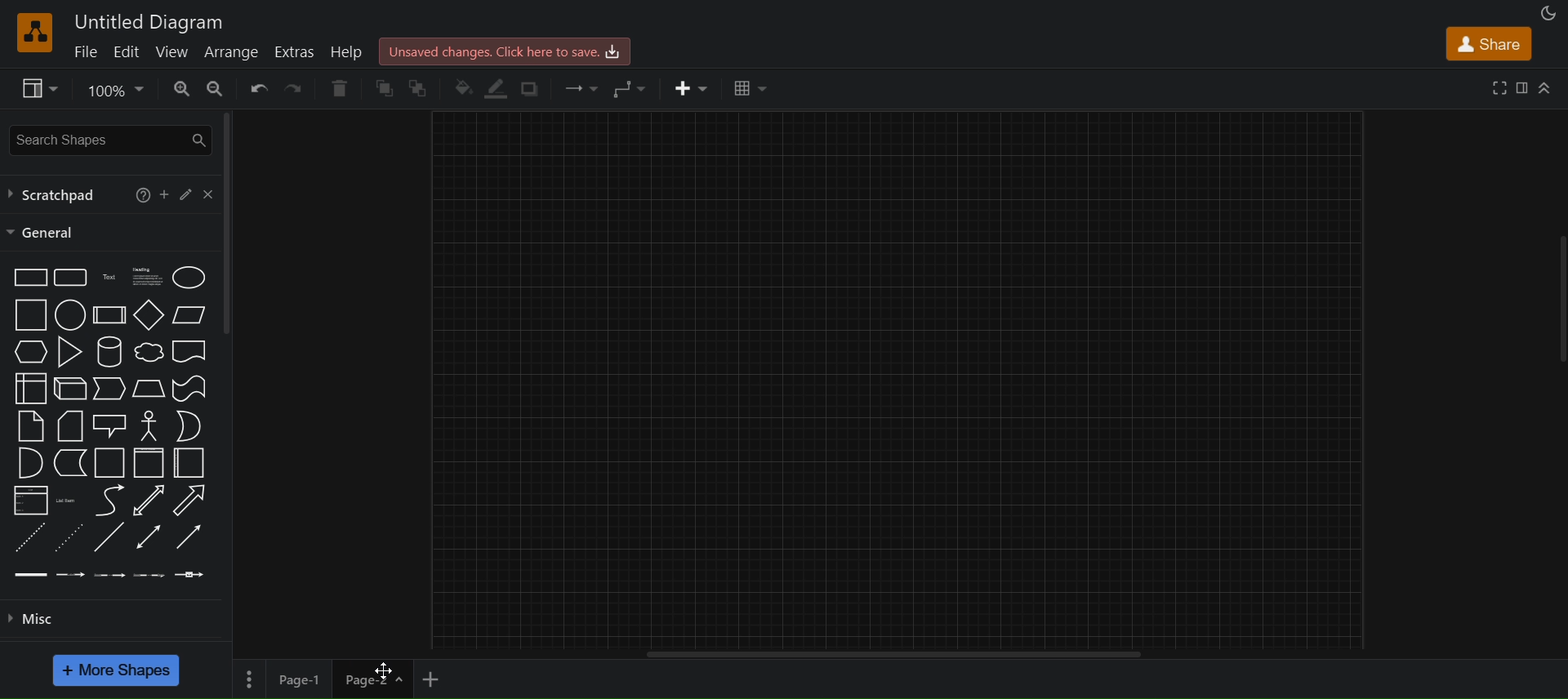  I want to click on and, so click(29, 462).